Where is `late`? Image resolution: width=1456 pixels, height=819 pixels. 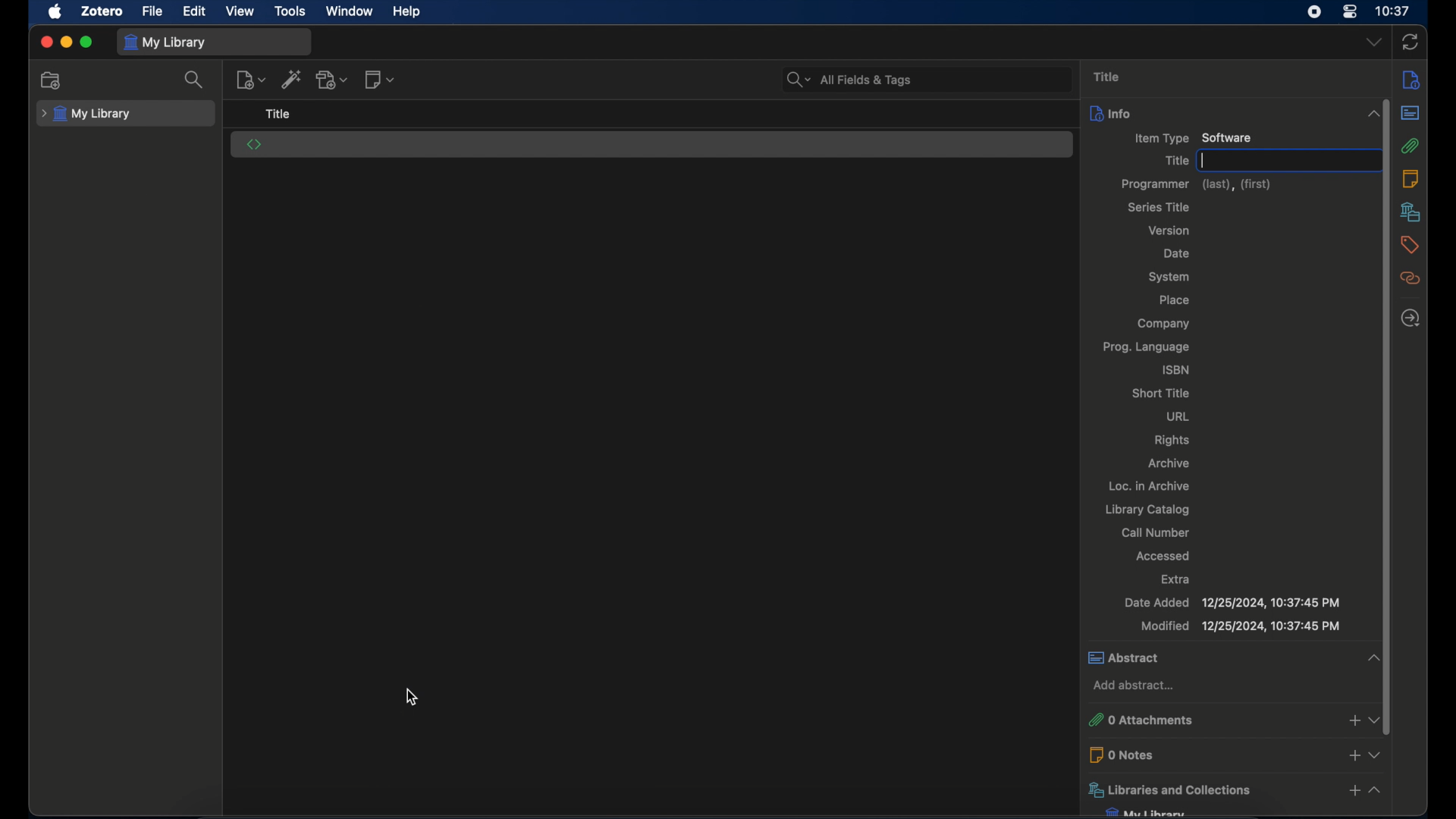 late is located at coordinates (1410, 318).